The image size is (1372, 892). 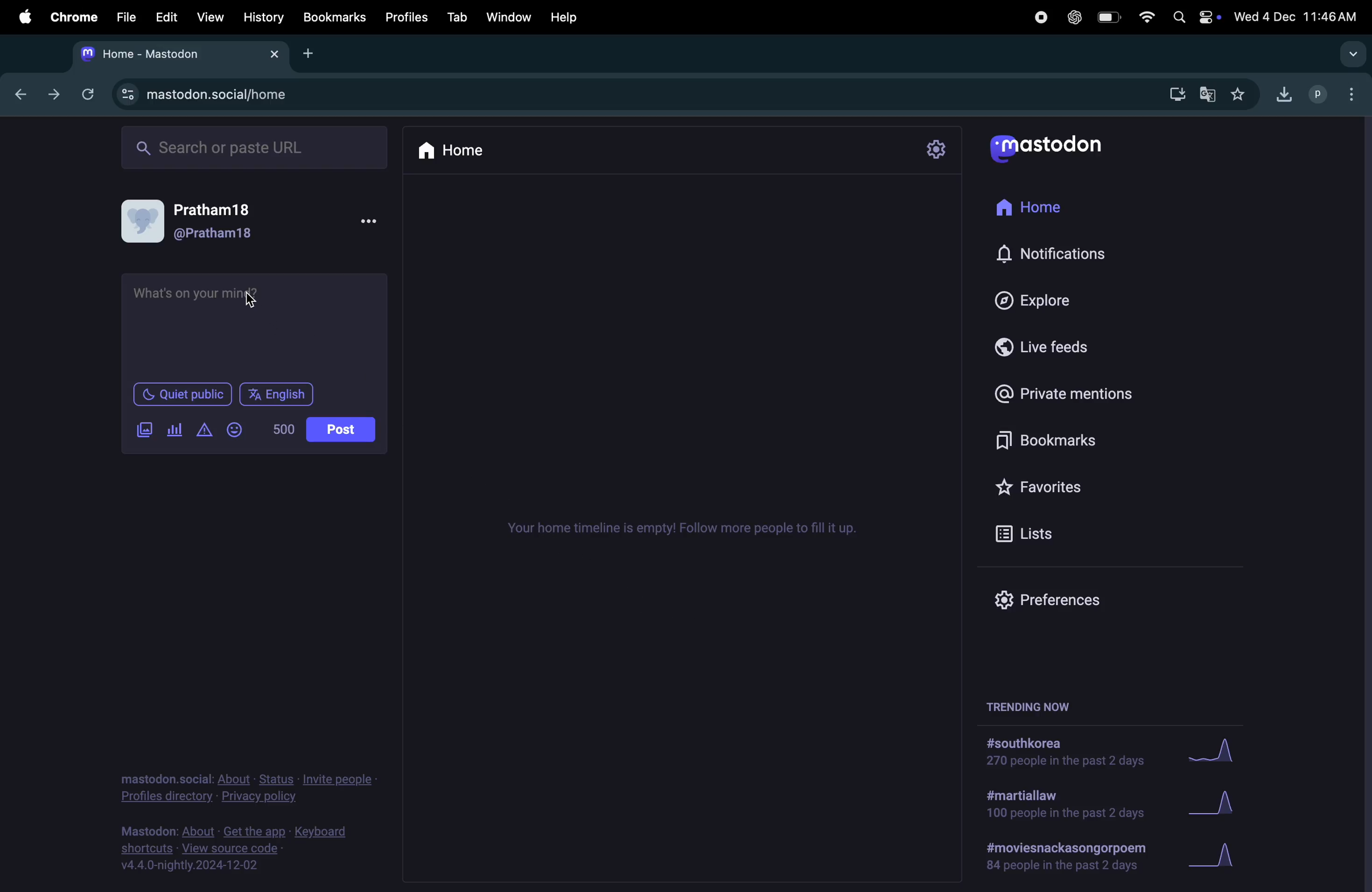 I want to click on History, so click(x=262, y=19).